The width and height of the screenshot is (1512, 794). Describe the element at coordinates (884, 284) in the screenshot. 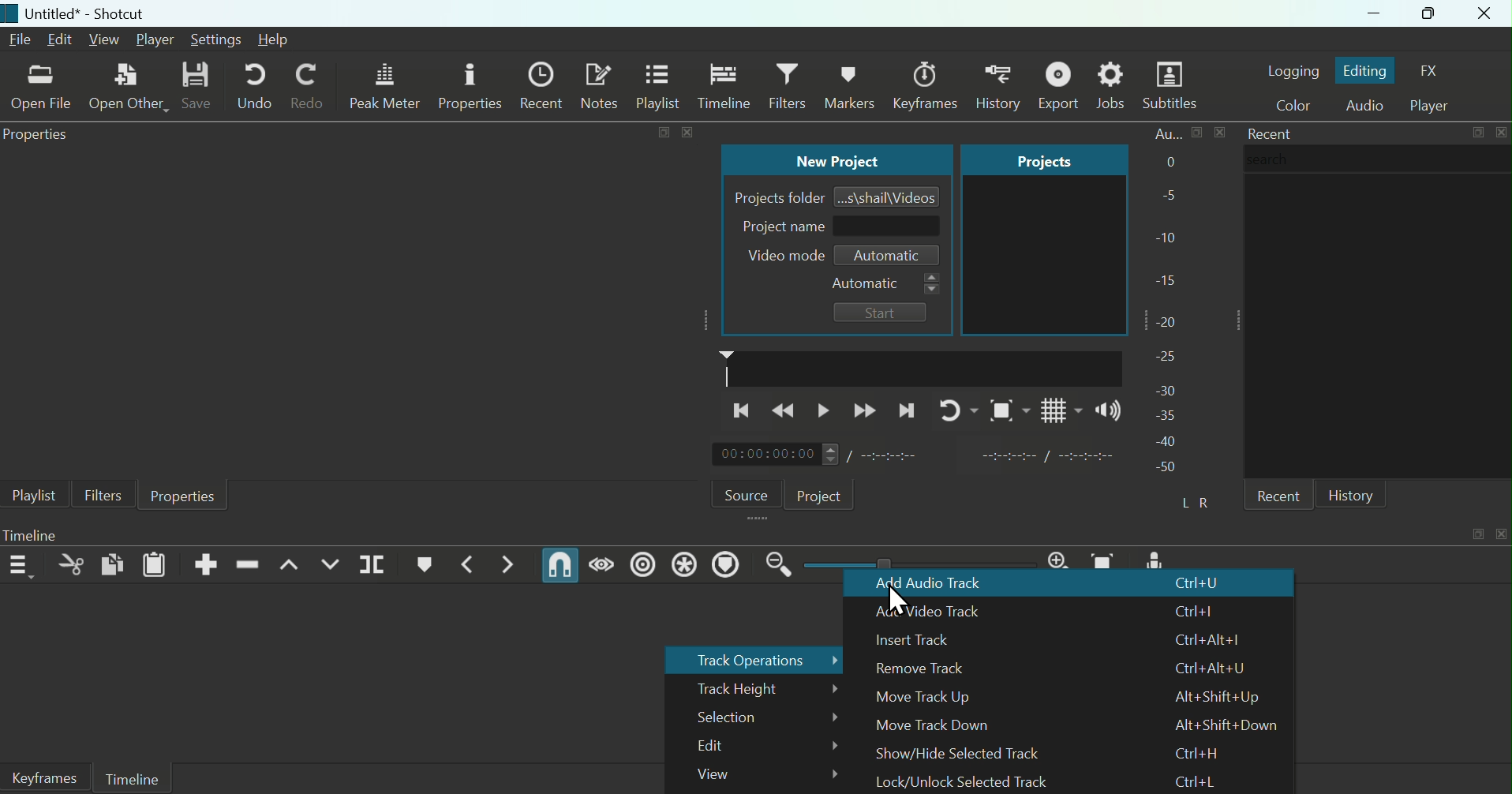

I see `Automatic` at that location.